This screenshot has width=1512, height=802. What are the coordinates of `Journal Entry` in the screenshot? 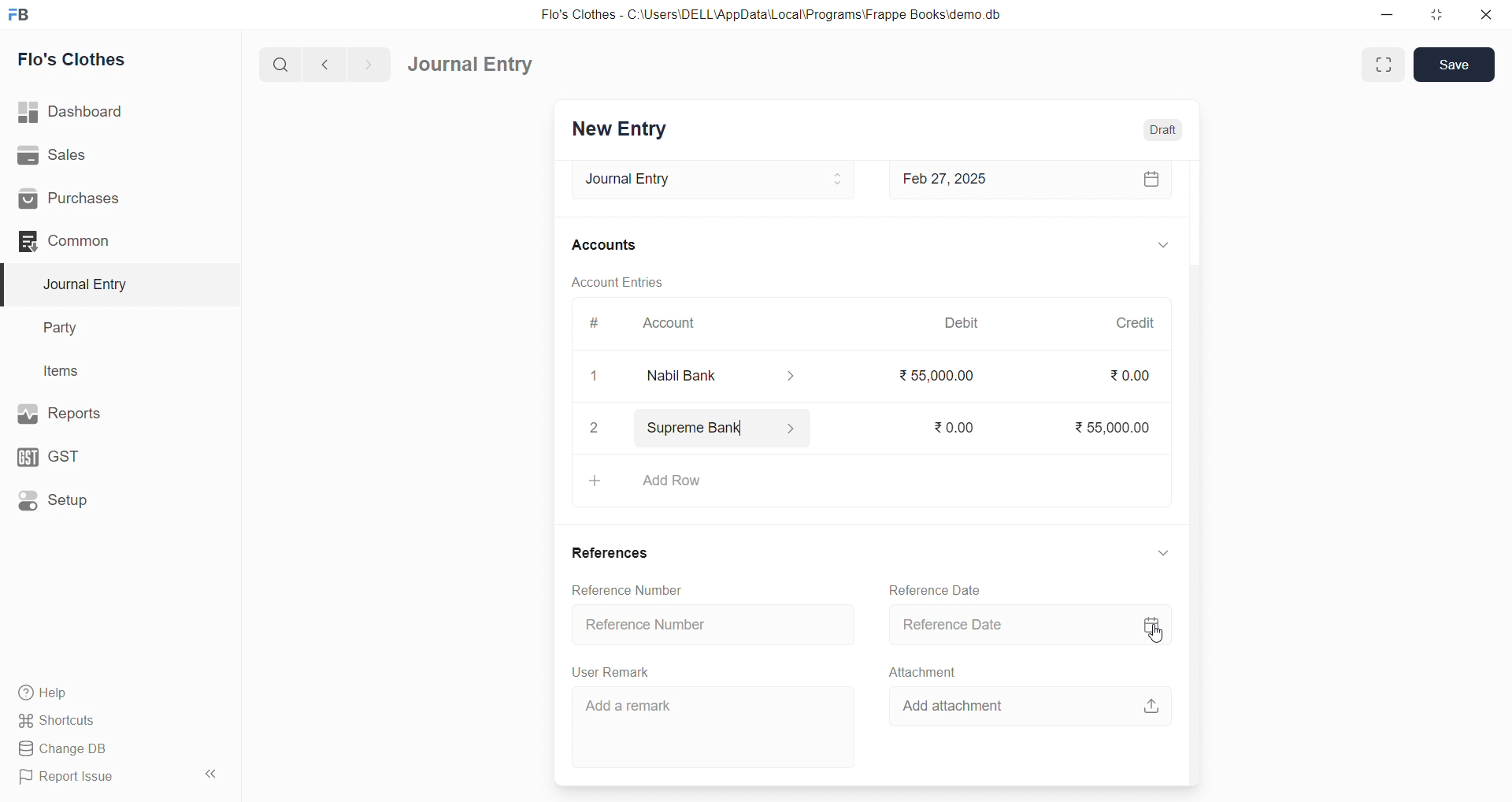 It's located at (90, 284).